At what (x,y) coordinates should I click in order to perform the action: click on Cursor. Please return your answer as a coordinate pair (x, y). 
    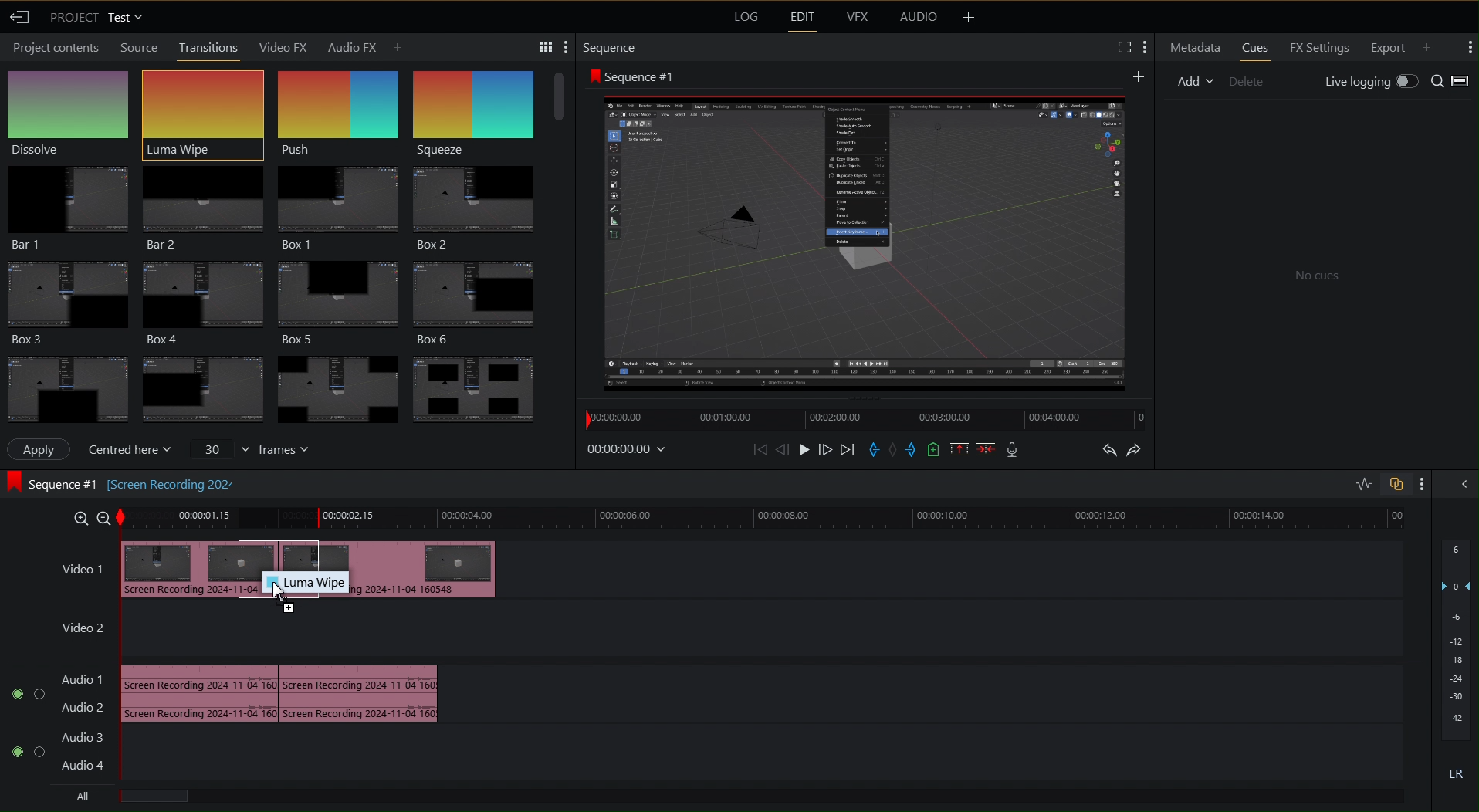
    Looking at the image, I should click on (282, 594).